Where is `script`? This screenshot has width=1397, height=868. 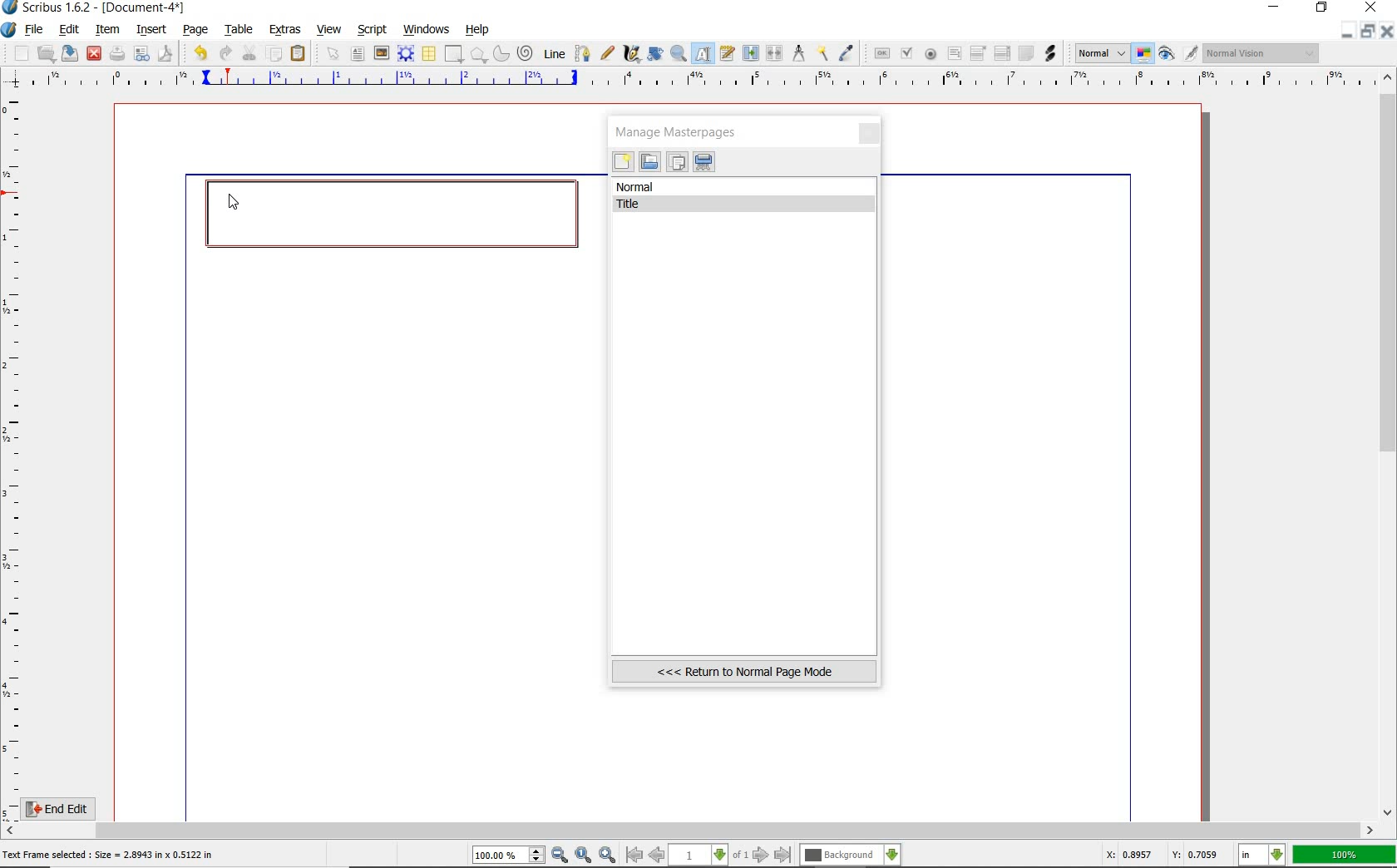 script is located at coordinates (373, 28).